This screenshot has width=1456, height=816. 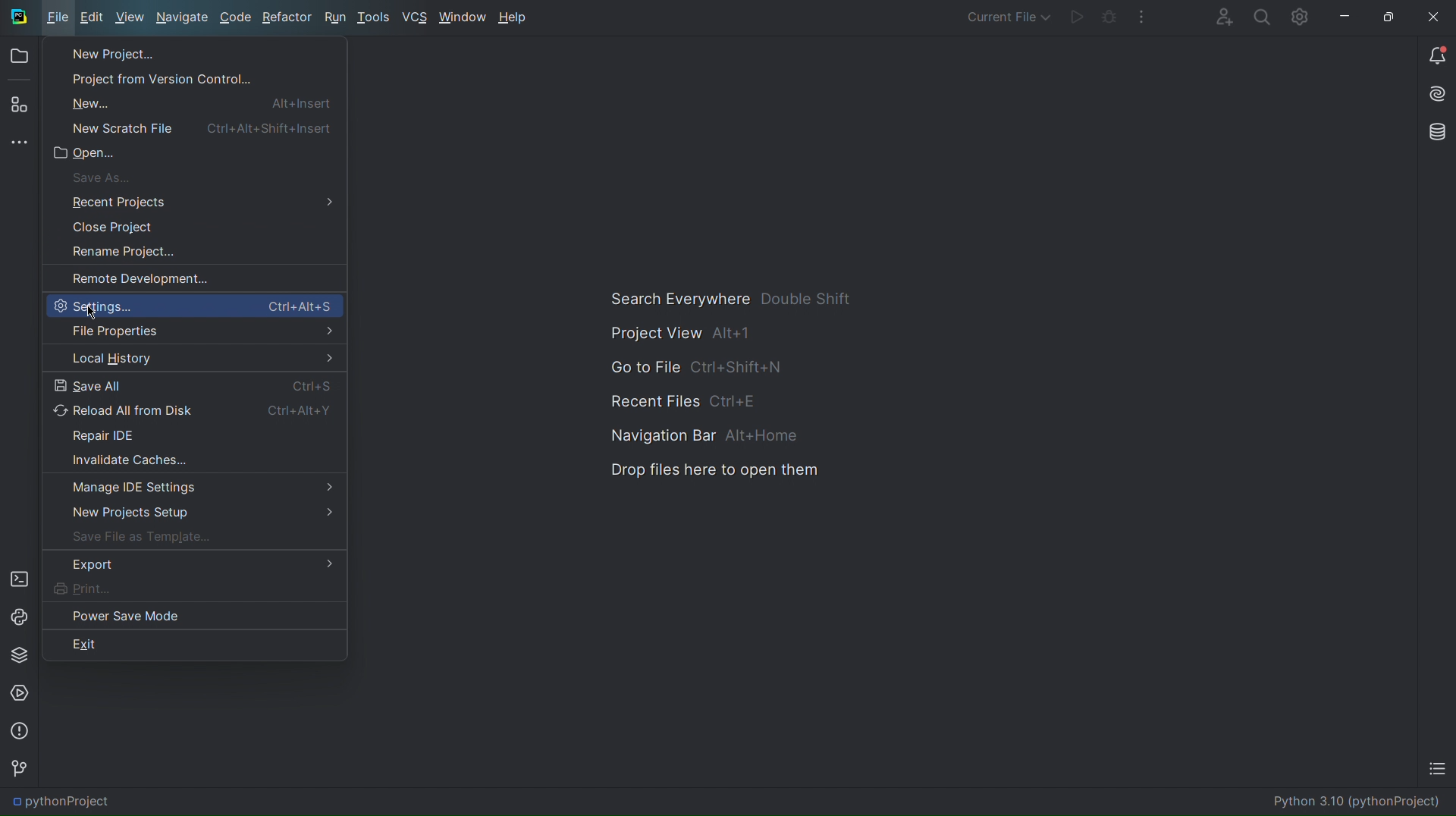 What do you see at coordinates (682, 402) in the screenshot?
I see `Recent Files` at bounding box center [682, 402].